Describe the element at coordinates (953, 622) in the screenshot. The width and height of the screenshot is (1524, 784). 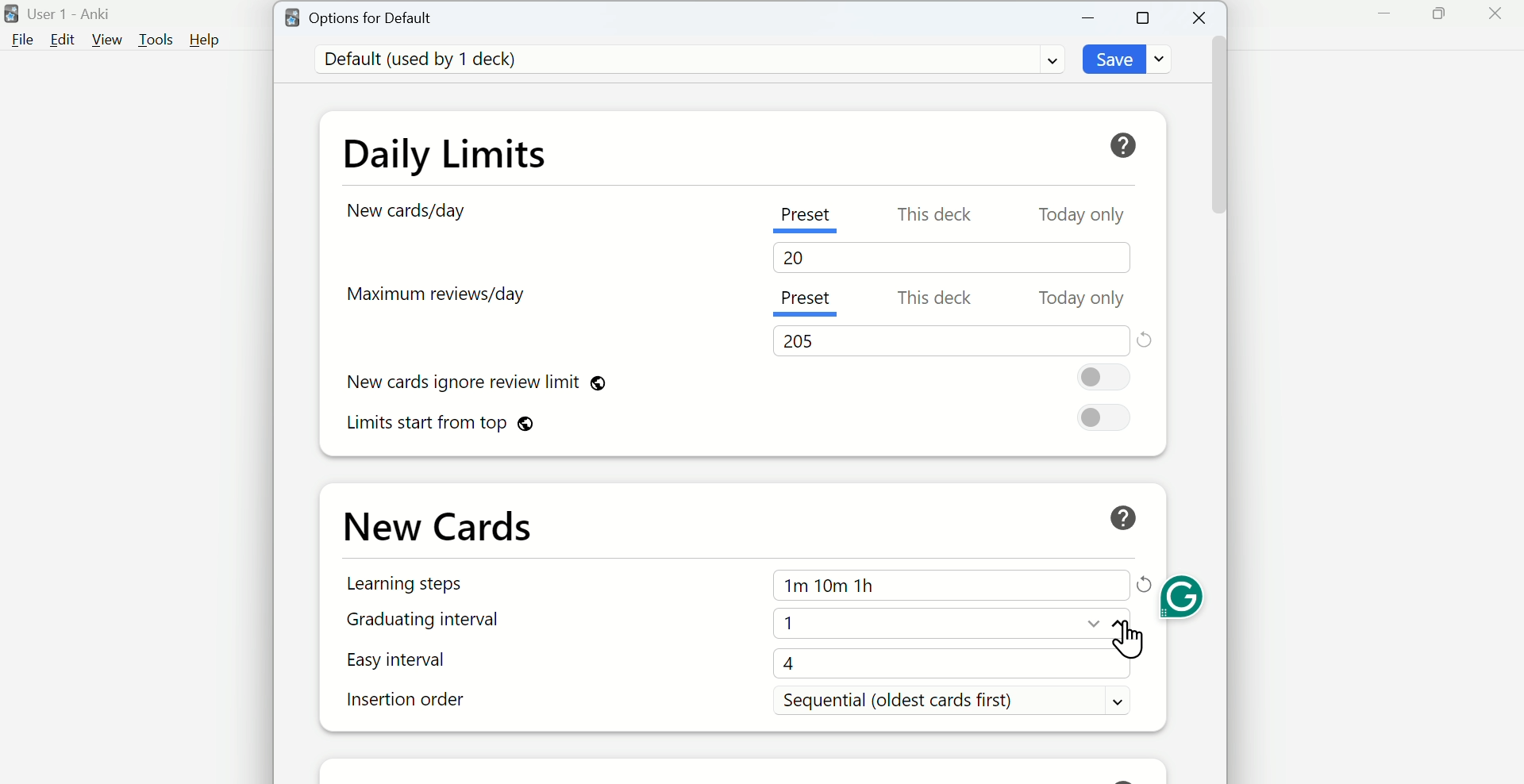
I see `1` at that location.